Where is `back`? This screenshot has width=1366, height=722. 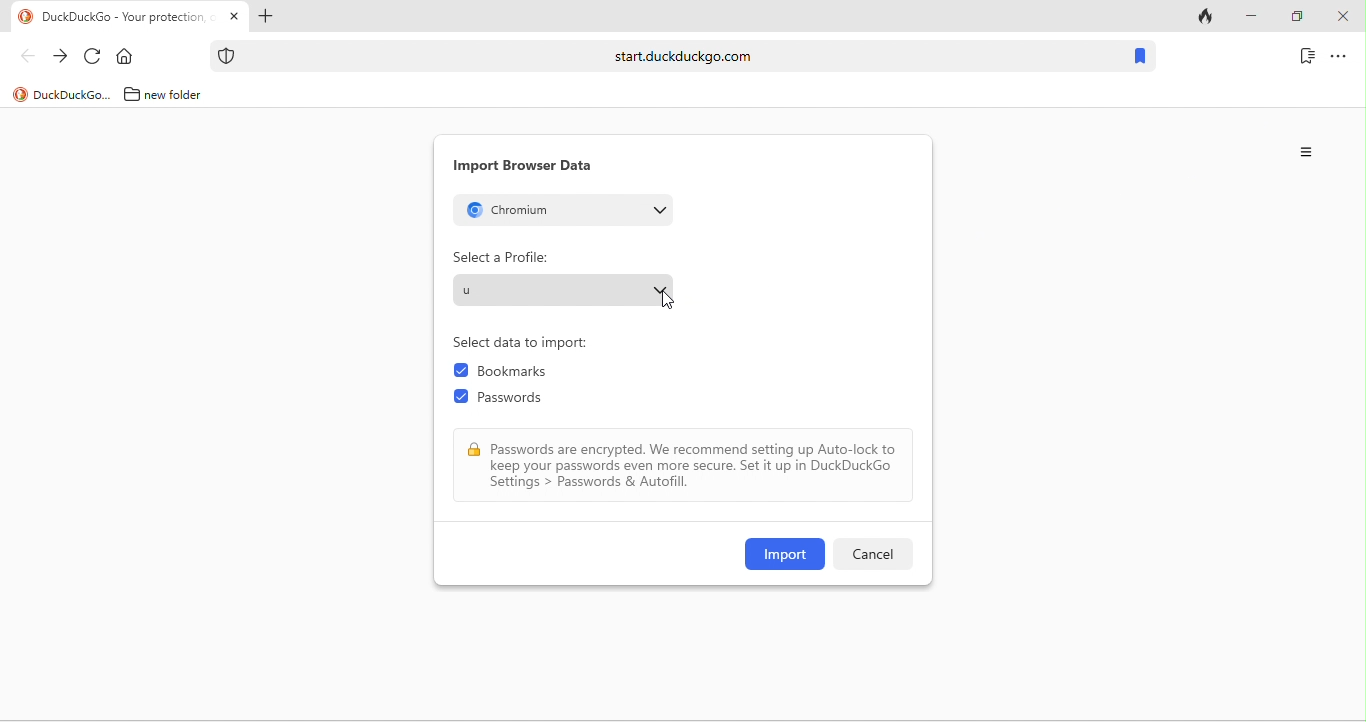
back is located at coordinates (27, 55).